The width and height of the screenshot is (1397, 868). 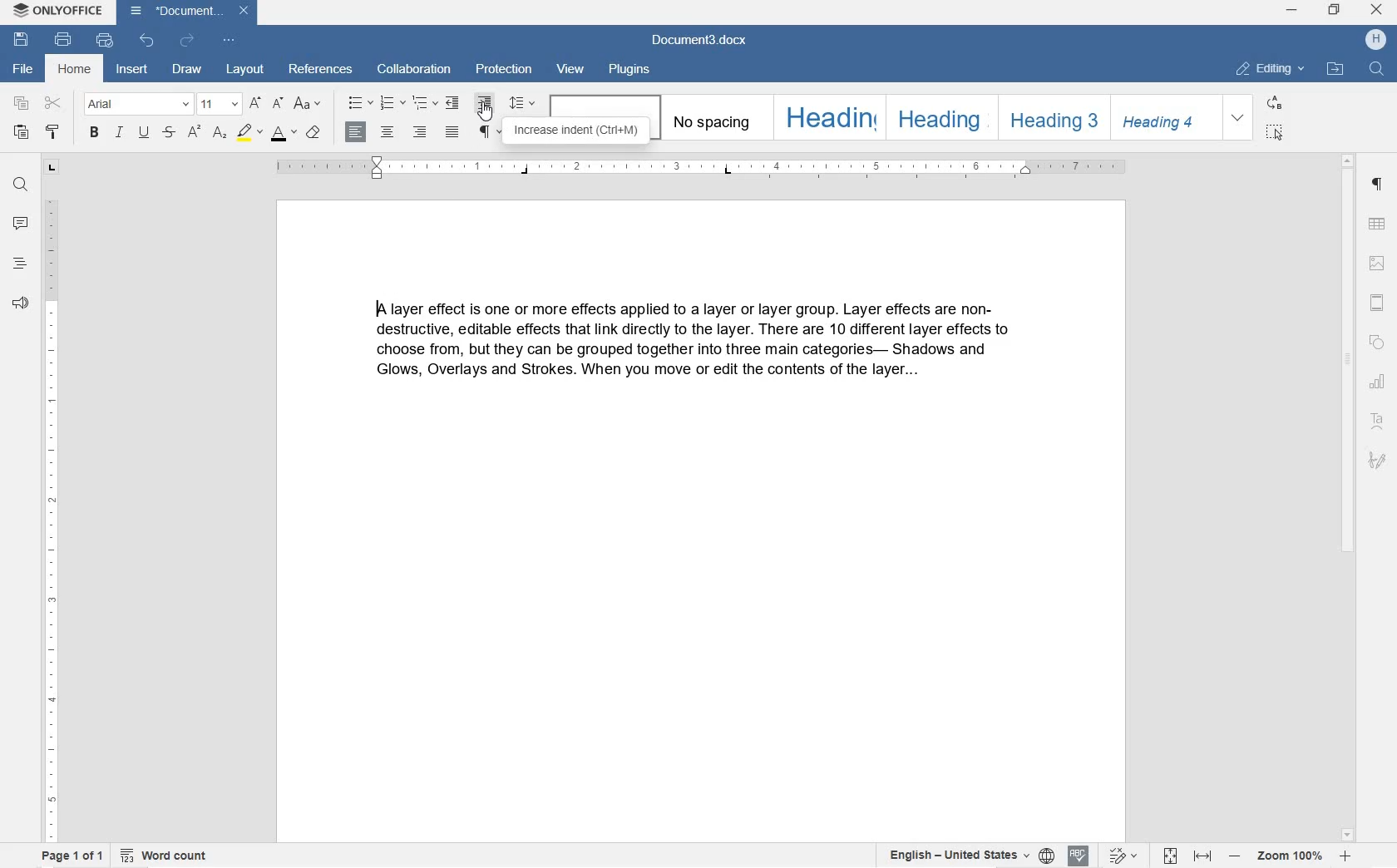 I want to click on NO SPACING, so click(x=713, y=119).